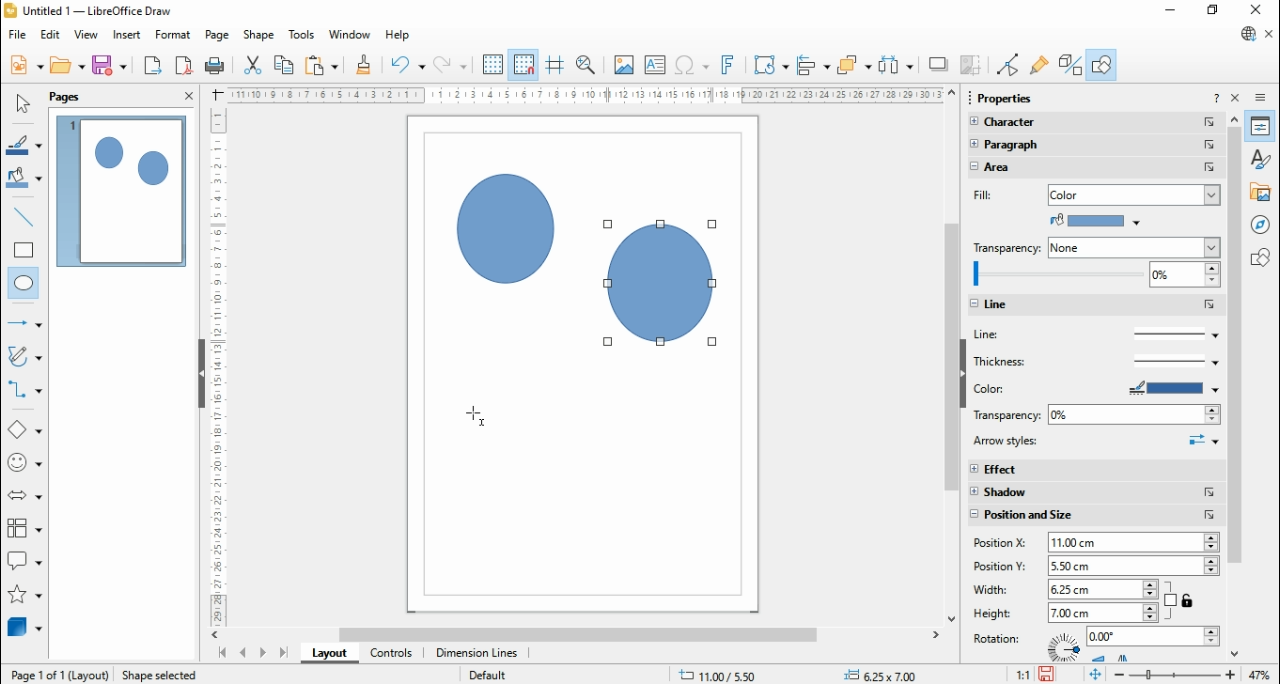 The height and width of the screenshot is (684, 1280). Describe the element at coordinates (1092, 123) in the screenshot. I see `character` at that location.